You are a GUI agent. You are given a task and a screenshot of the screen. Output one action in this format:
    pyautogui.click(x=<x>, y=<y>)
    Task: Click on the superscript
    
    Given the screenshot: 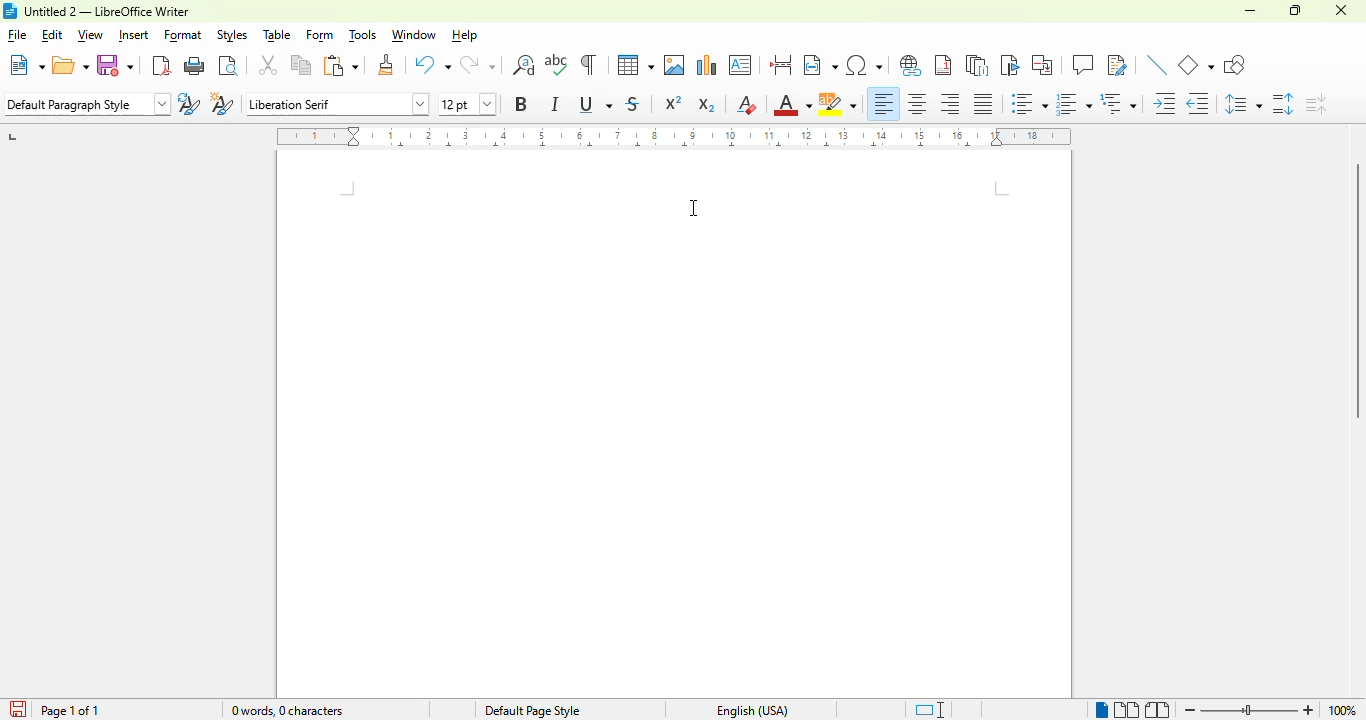 What is the action you would take?
    pyautogui.click(x=674, y=102)
    